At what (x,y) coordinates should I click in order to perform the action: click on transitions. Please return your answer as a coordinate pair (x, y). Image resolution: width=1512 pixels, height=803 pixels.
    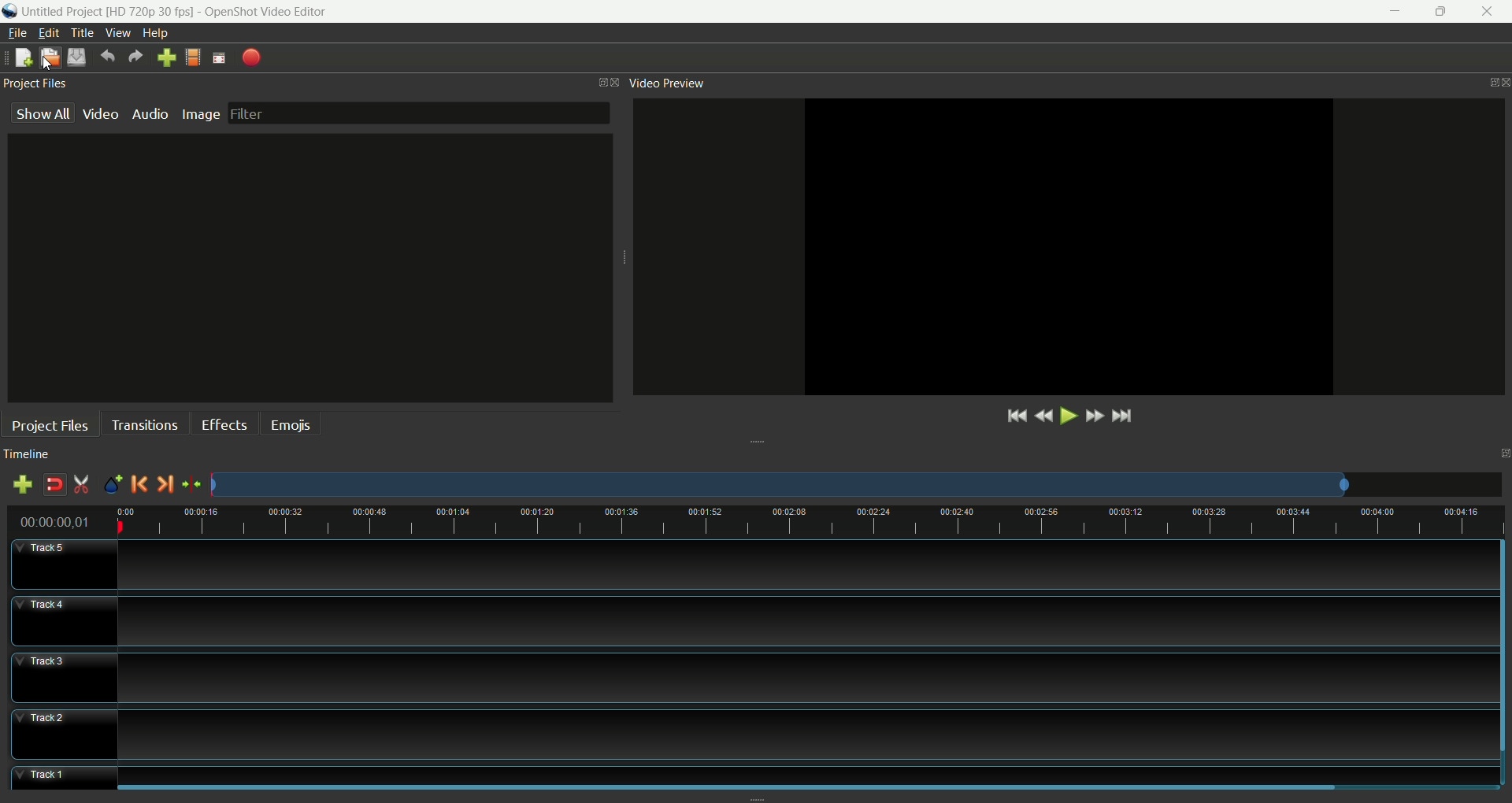
    Looking at the image, I should click on (143, 424).